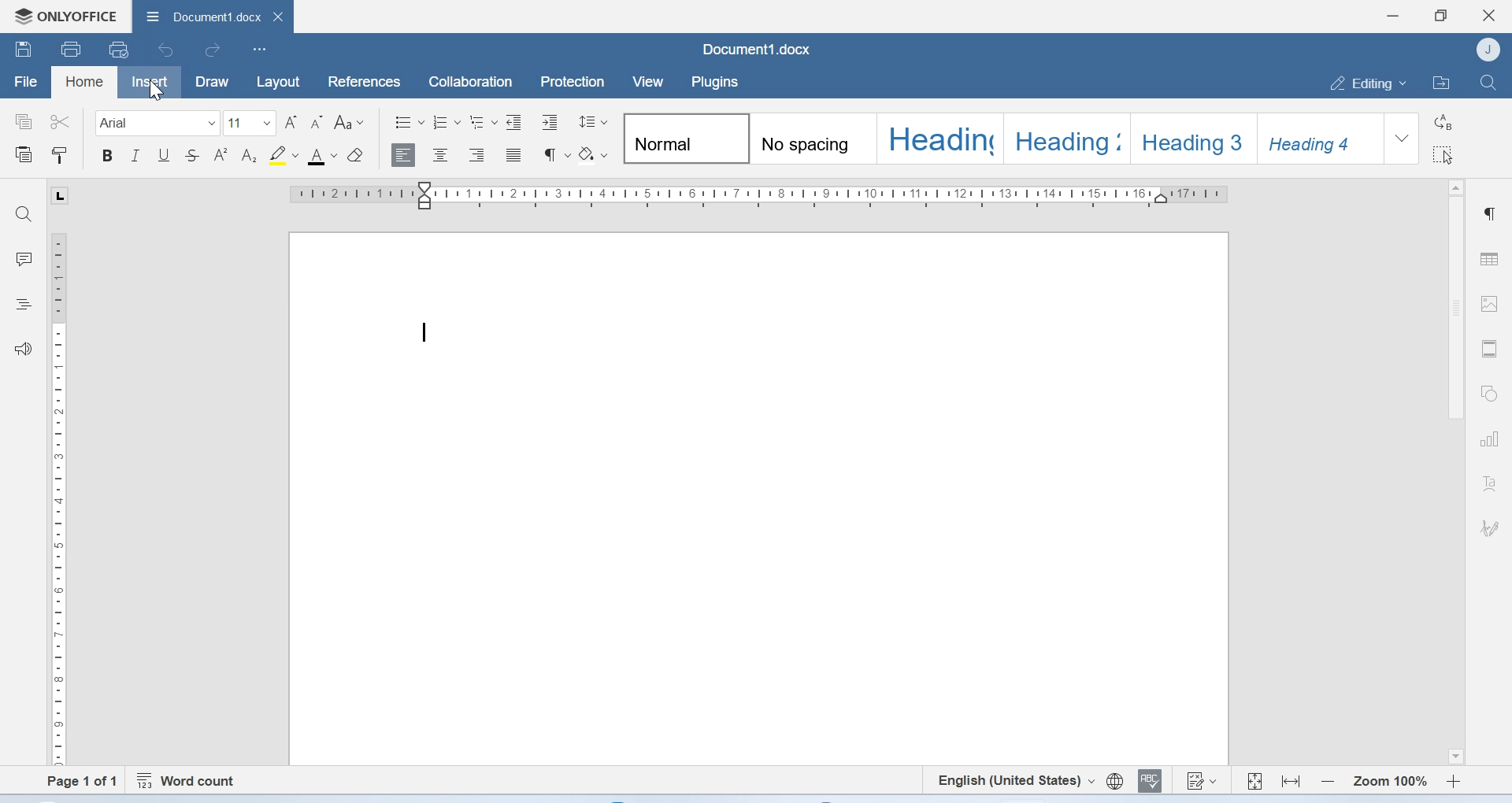 This screenshot has width=1512, height=803. Describe the element at coordinates (1440, 81) in the screenshot. I see `Open file location` at that location.